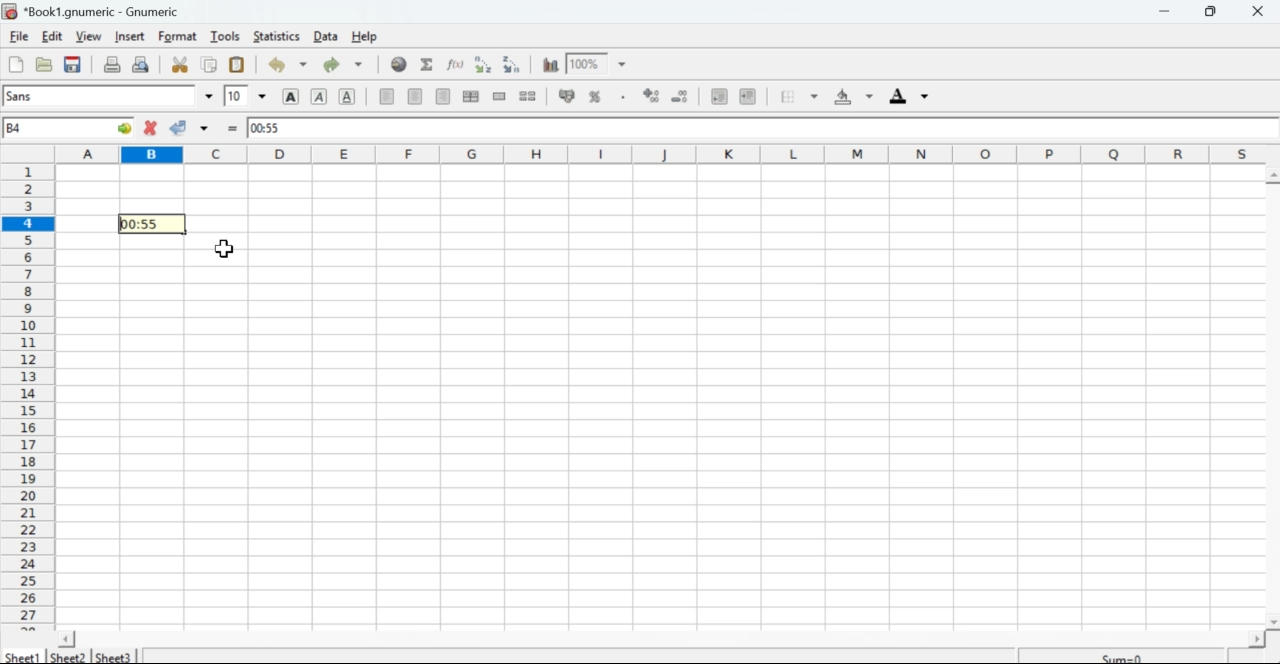 Image resolution: width=1280 pixels, height=664 pixels. I want to click on Sort ascending, so click(483, 65).